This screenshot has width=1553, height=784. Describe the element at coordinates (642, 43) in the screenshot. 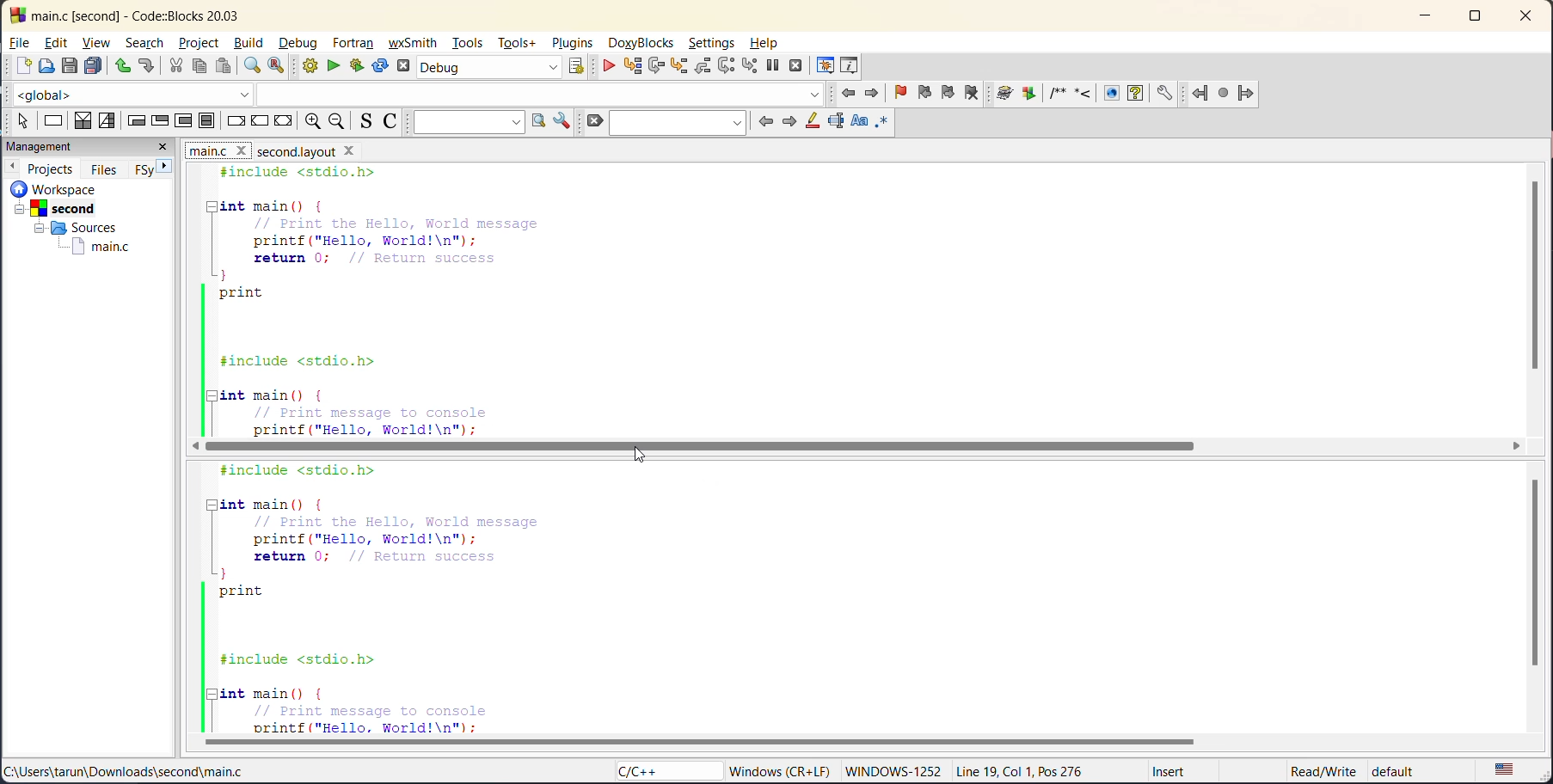

I see `doxyblocks` at that location.